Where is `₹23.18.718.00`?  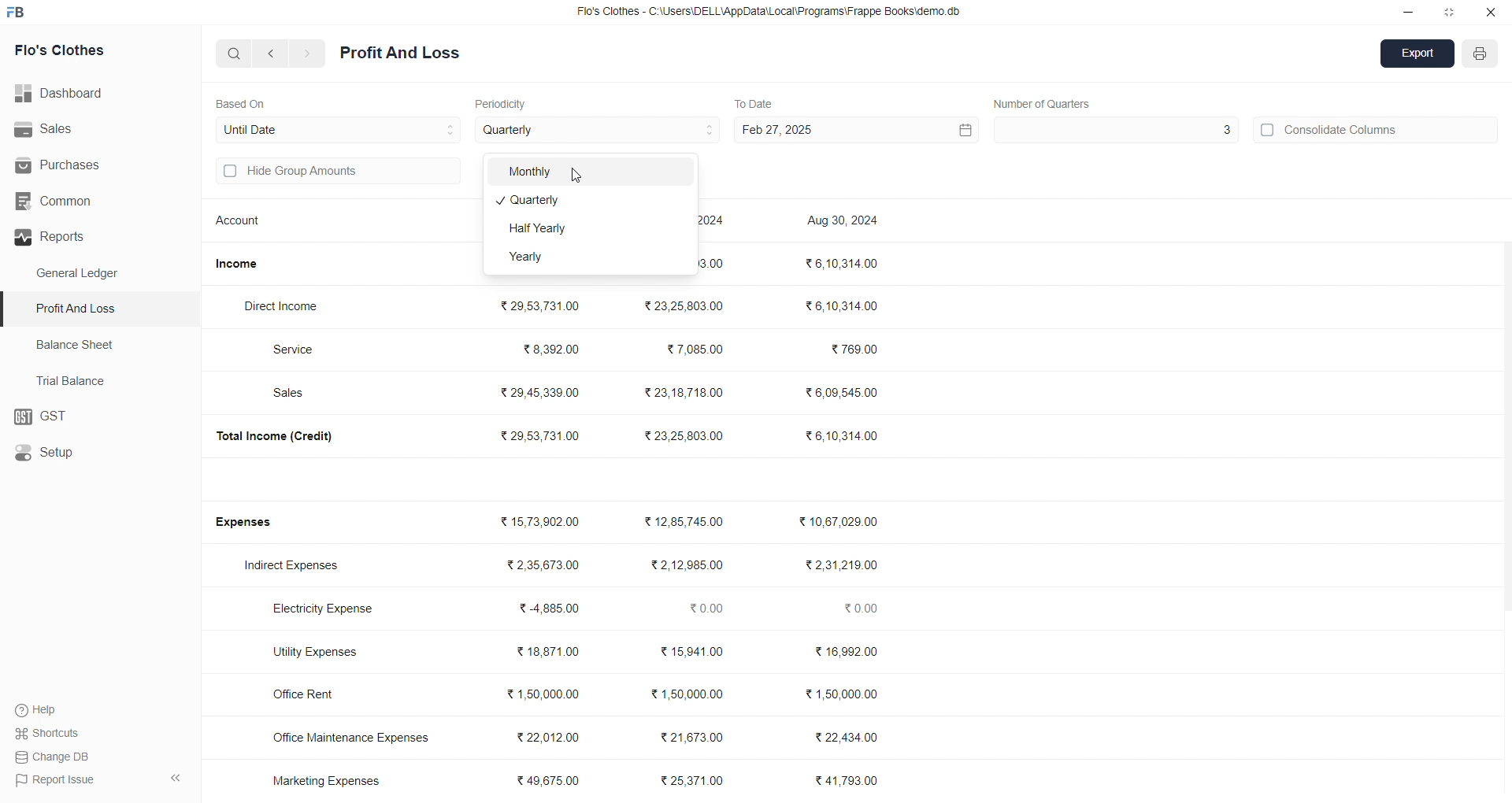 ₹23.18.718.00 is located at coordinates (684, 391).